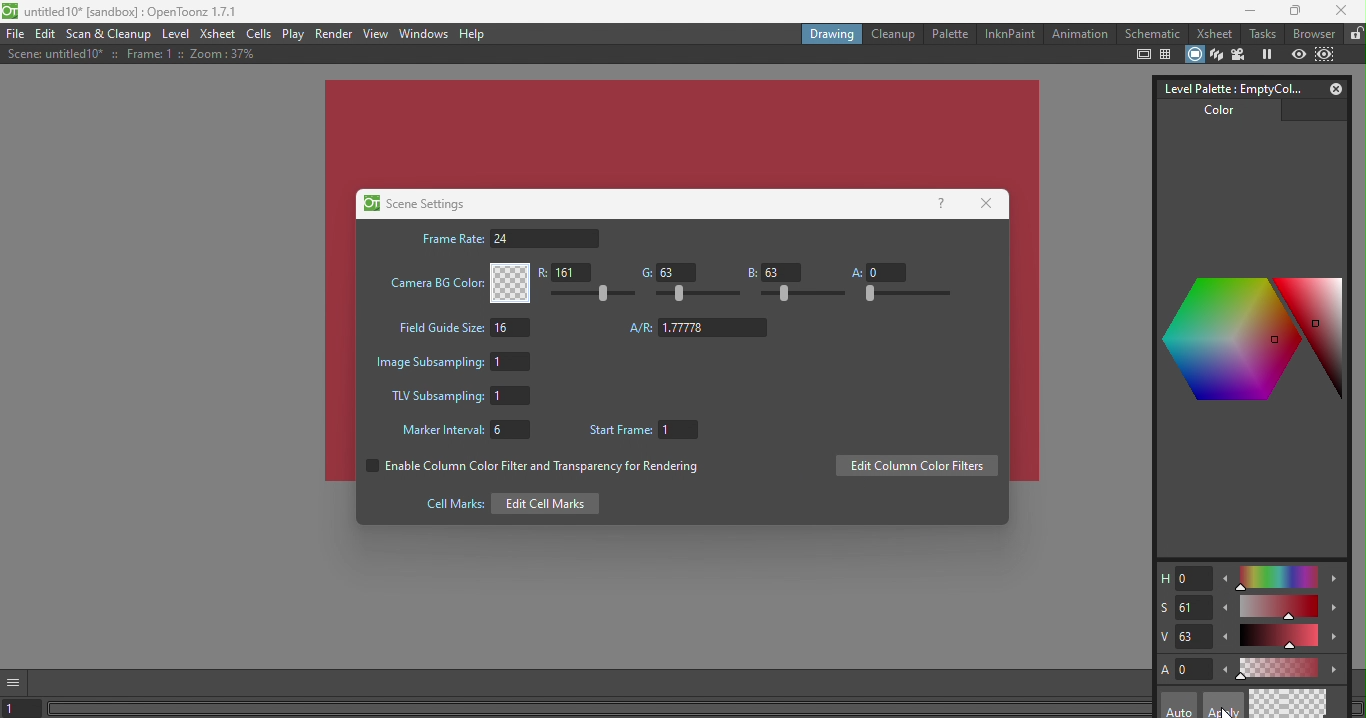 This screenshot has height=718, width=1366. Describe the element at coordinates (1186, 669) in the screenshot. I see `A` at that location.